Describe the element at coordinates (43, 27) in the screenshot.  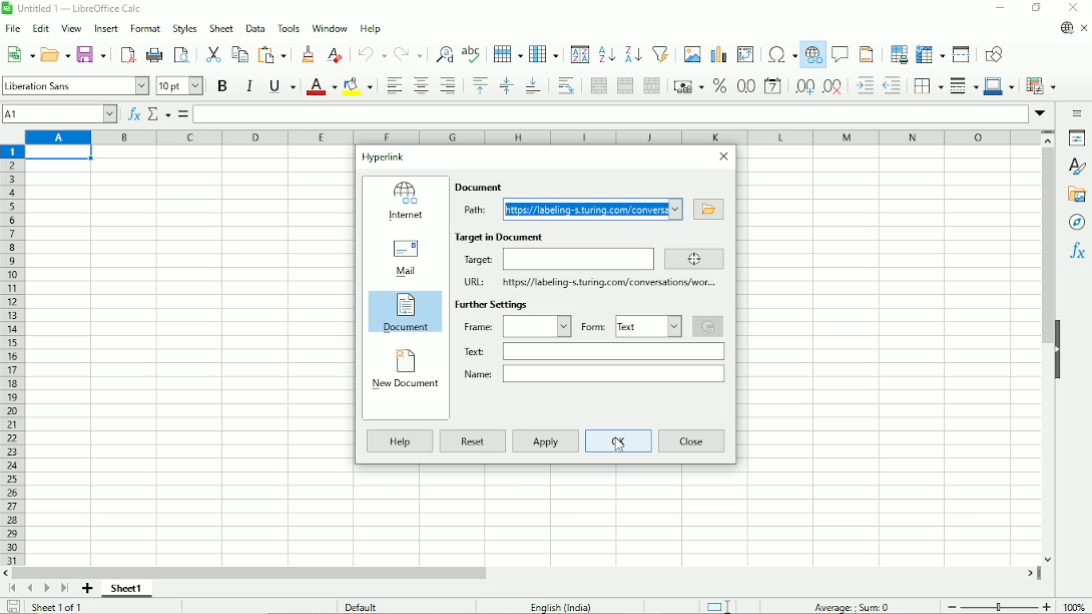
I see `edit` at that location.